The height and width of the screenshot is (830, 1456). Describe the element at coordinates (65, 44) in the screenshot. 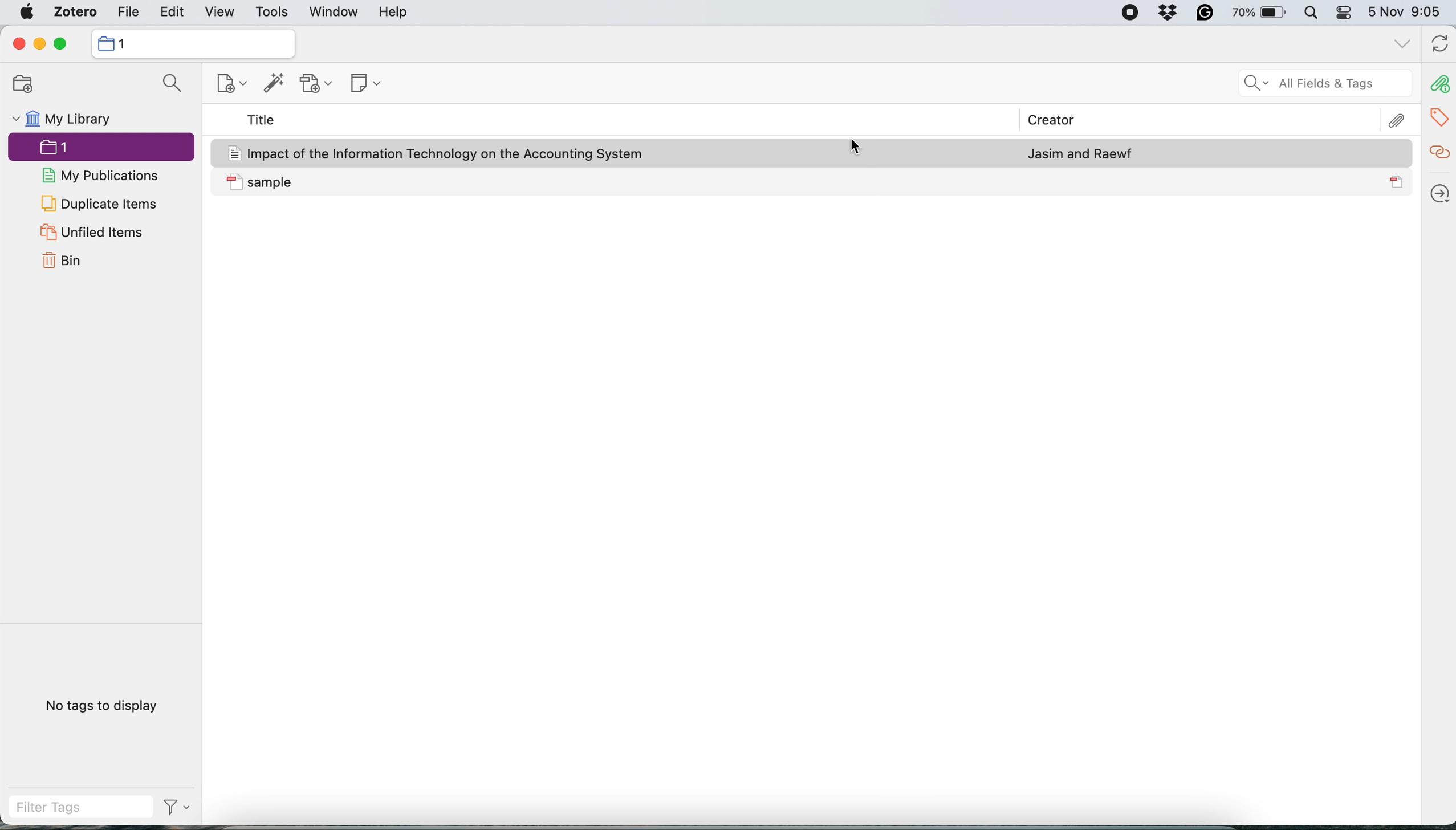

I see `maximise` at that location.